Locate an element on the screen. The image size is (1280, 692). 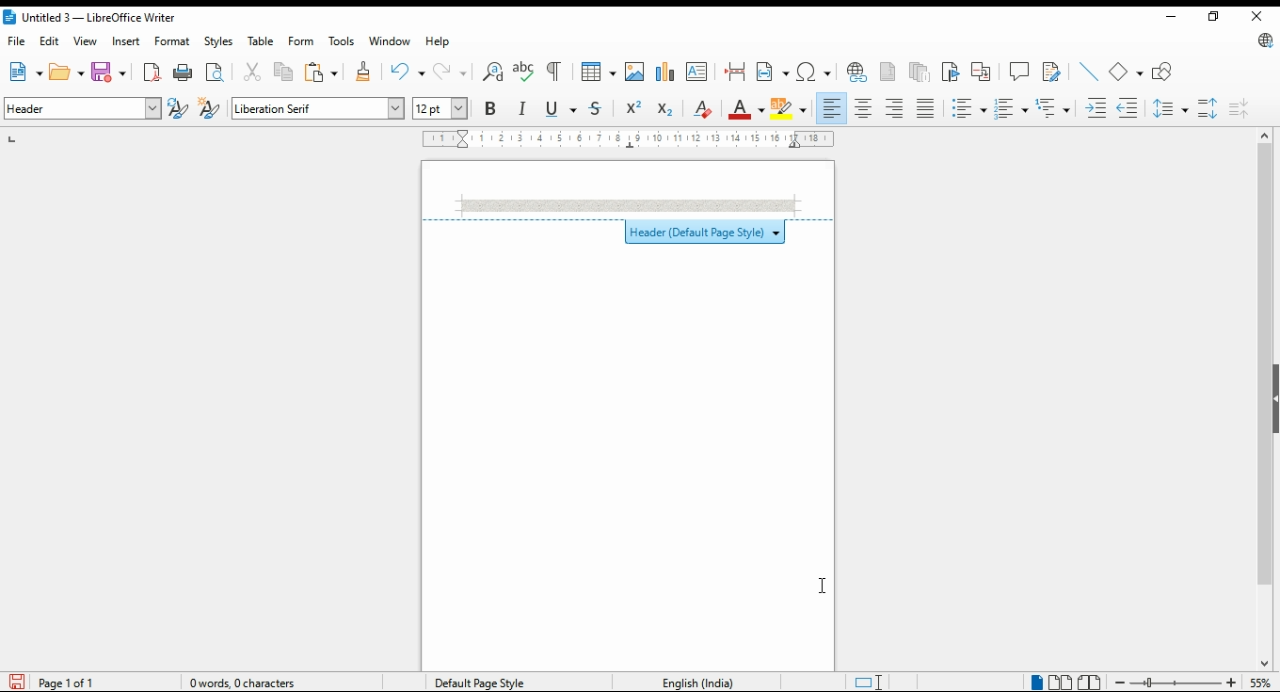
toggle ordered list is located at coordinates (1011, 109).